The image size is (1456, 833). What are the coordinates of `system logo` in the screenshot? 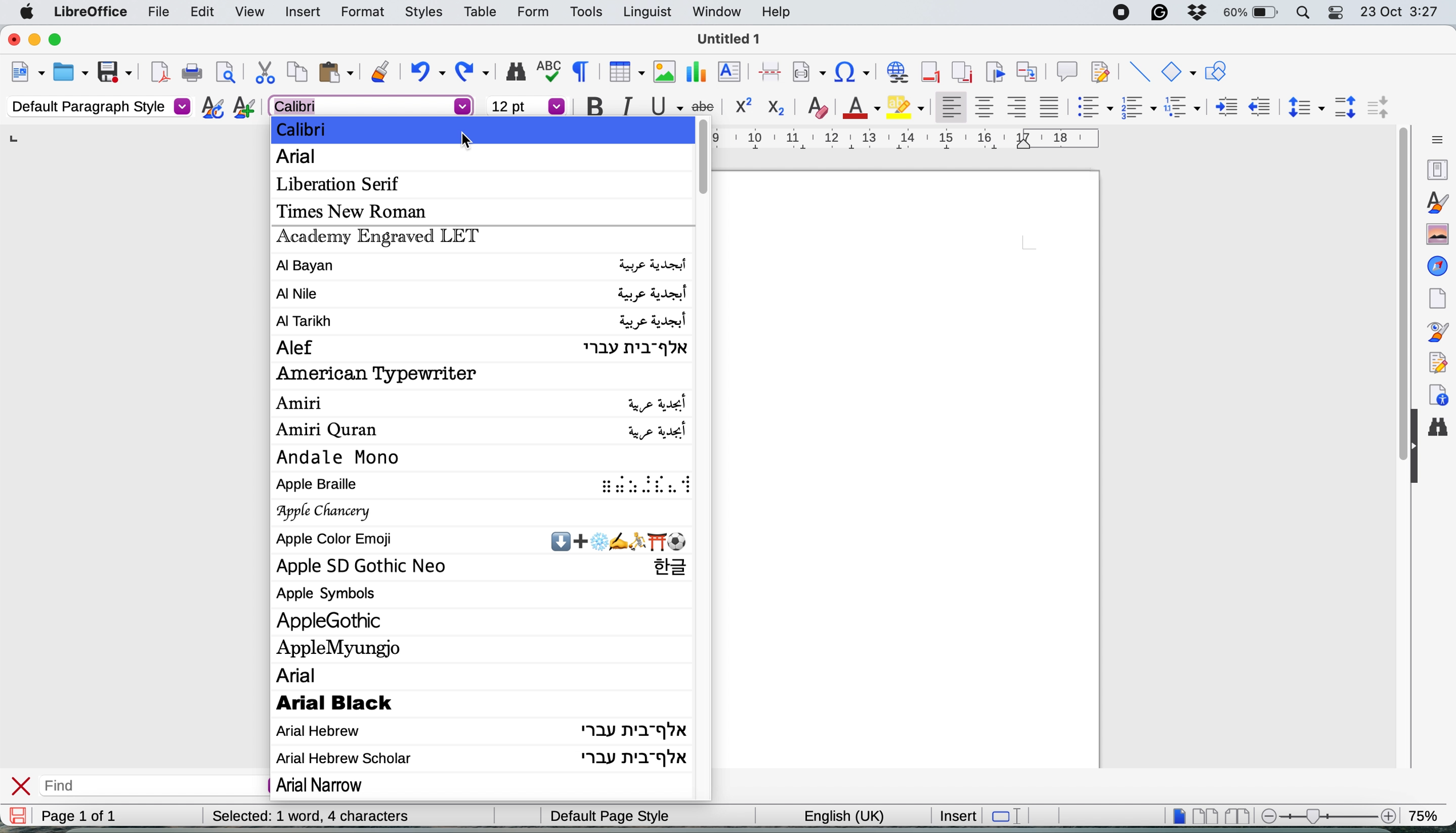 It's located at (27, 12).